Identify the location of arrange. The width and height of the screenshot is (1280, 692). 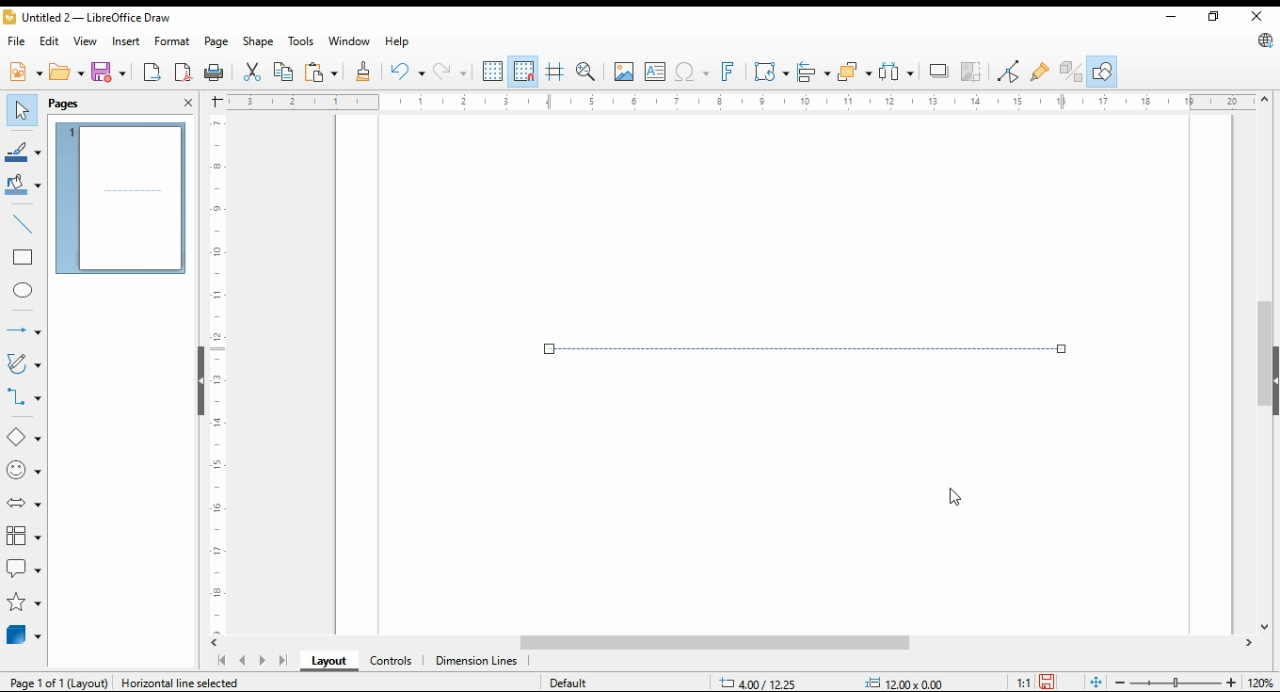
(852, 70).